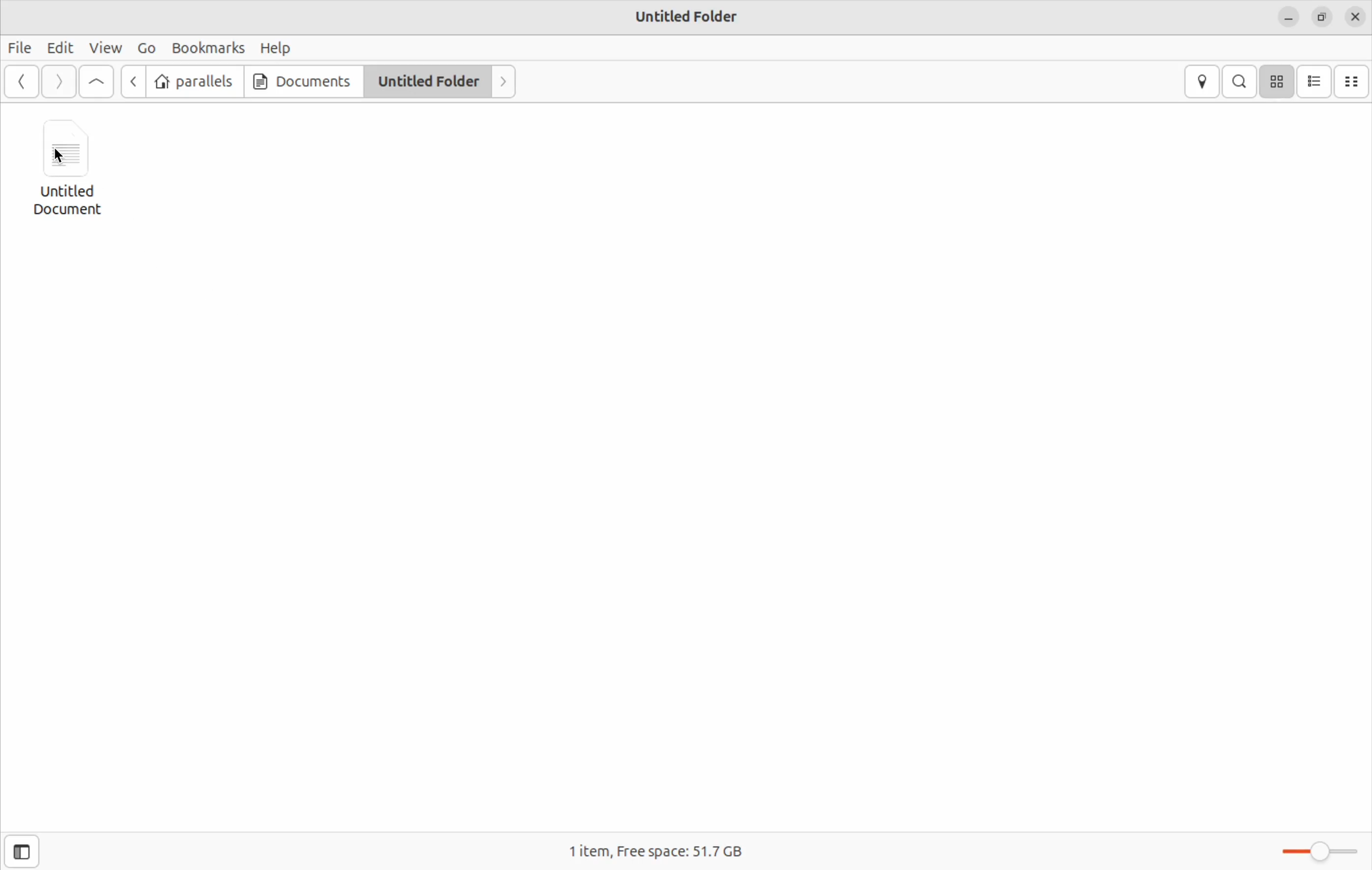 This screenshot has width=1372, height=870. Describe the element at coordinates (1321, 851) in the screenshot. I see `Zoom` at that location.